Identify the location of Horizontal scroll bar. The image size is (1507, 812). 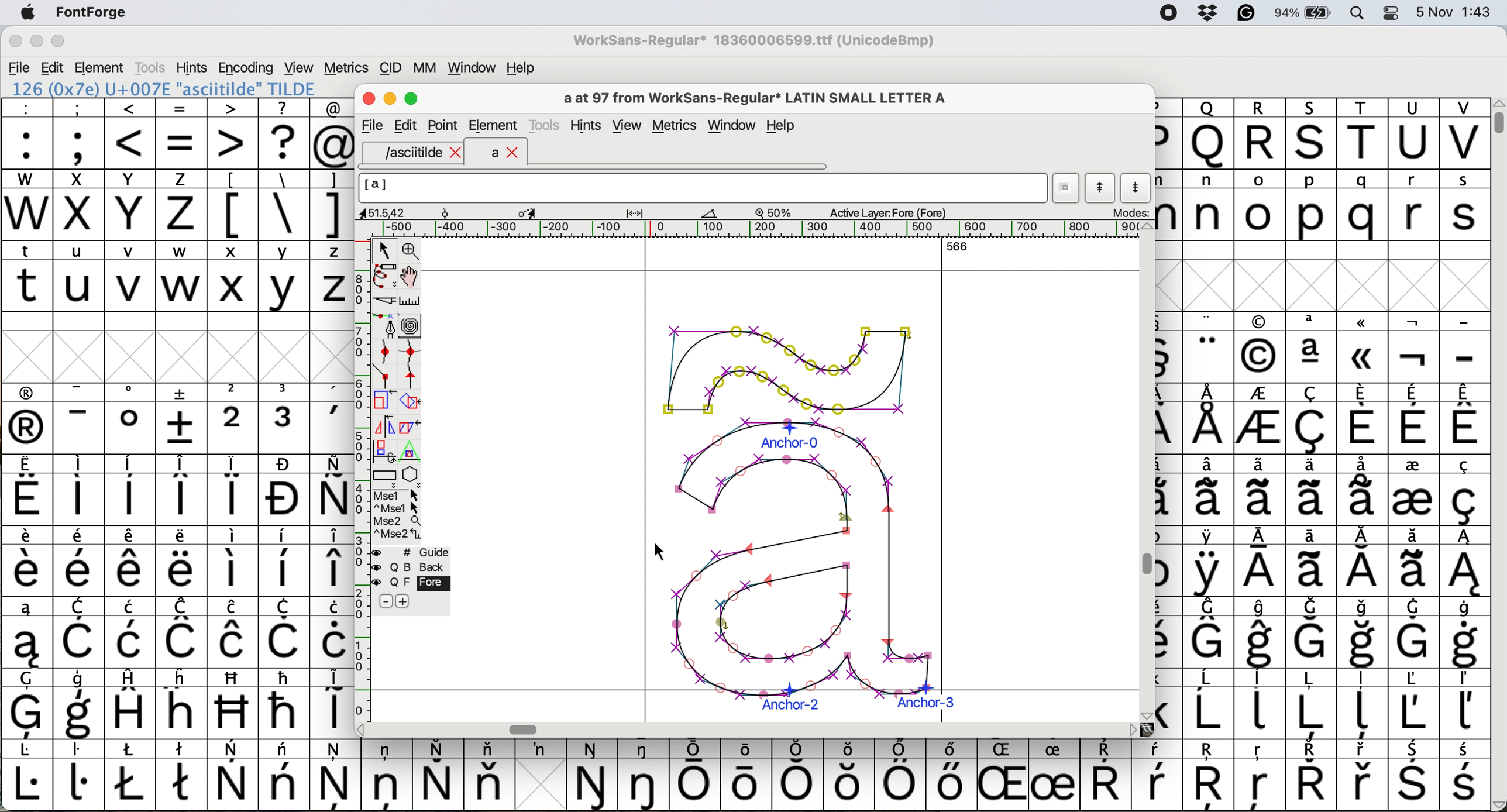
(527, 729).